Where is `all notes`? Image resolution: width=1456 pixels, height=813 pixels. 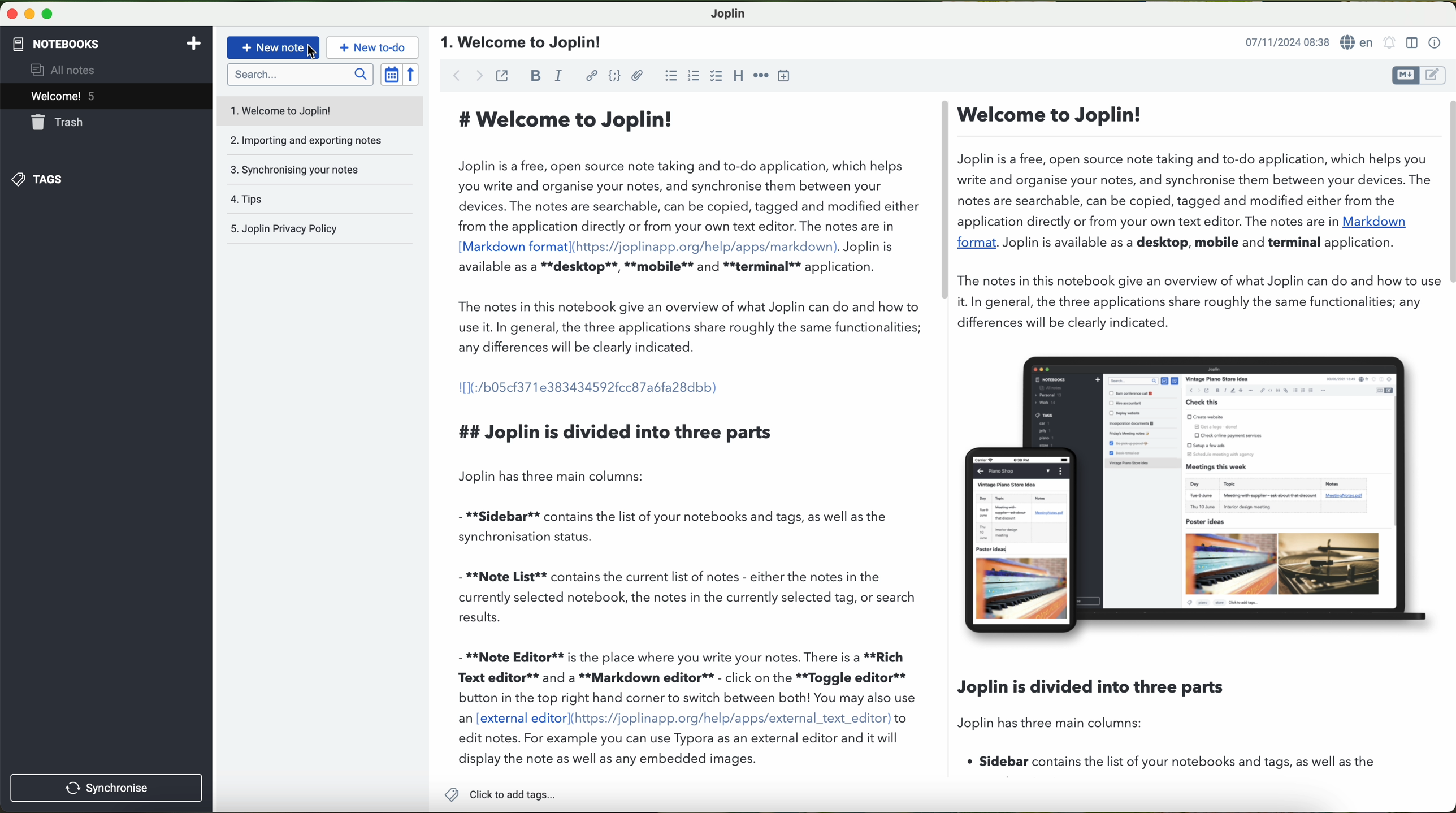 all notes is located at coordinates (66, 69).